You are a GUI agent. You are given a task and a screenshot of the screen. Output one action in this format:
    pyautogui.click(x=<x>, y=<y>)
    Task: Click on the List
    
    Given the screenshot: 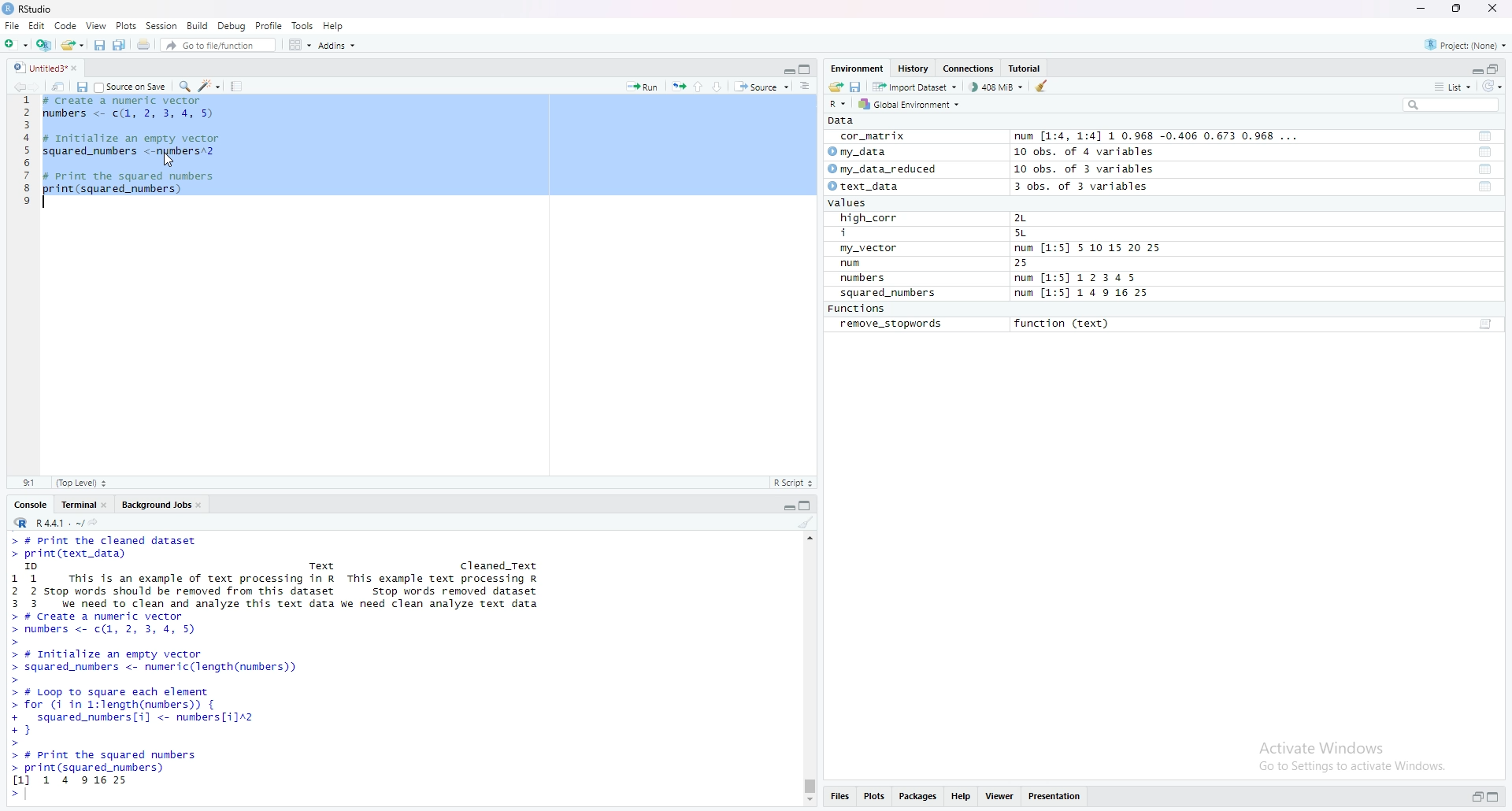 What is the action you would take?
    pyautogui.click(x=1453, y=86)
    